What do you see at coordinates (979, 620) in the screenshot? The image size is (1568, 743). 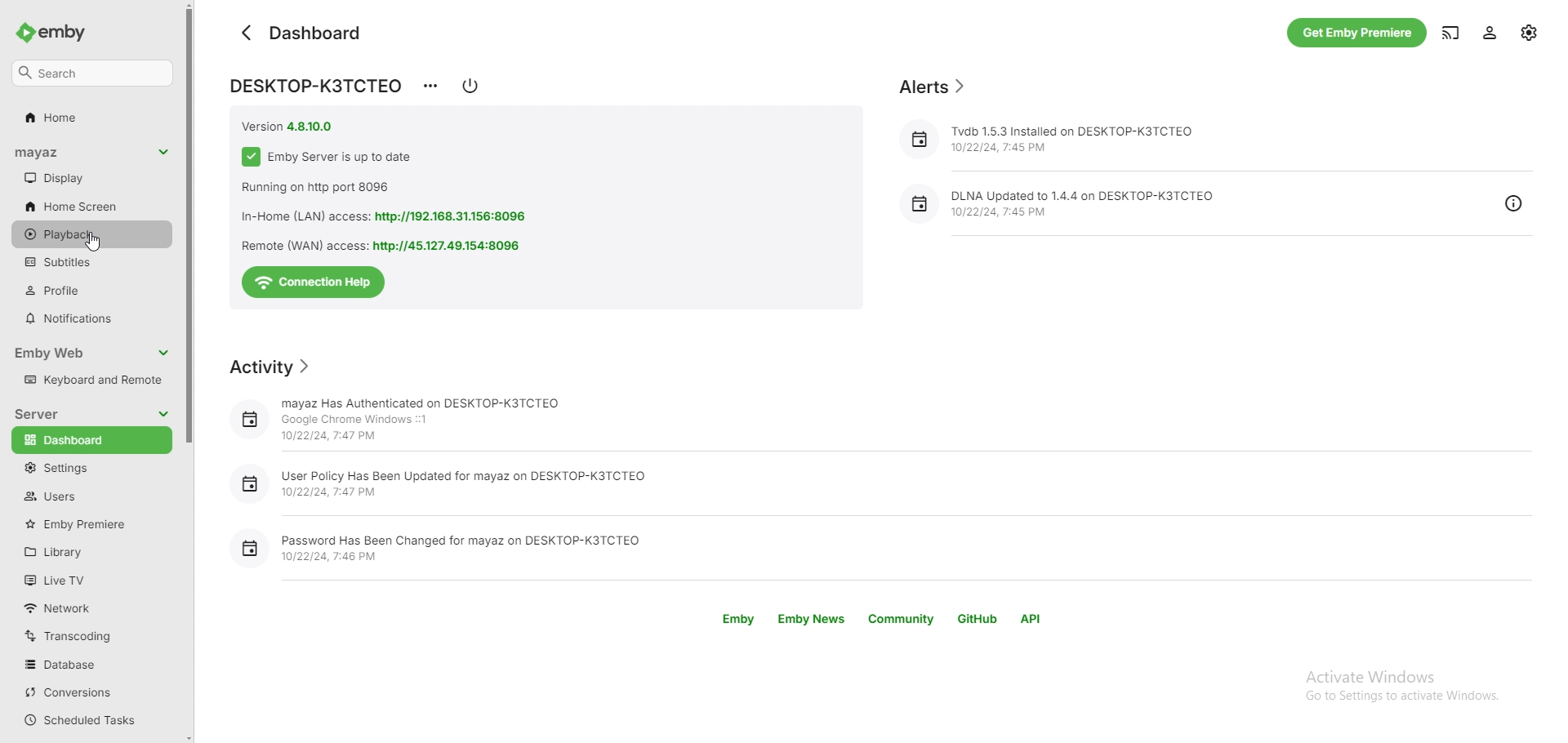 I see `github` at bounding box center [979, 620].